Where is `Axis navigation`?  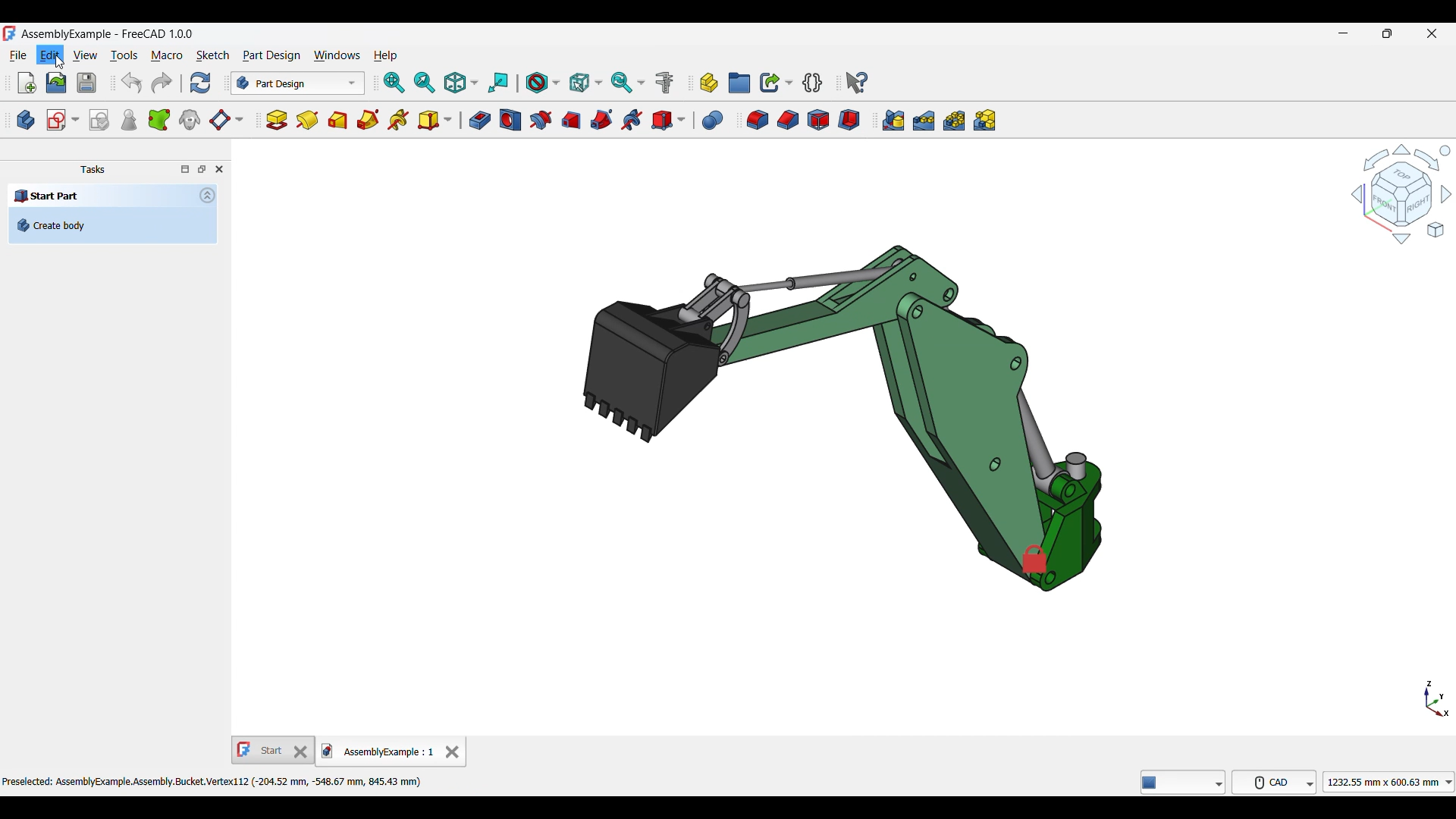 Axis navigation is located at coordinates (1437, 698).